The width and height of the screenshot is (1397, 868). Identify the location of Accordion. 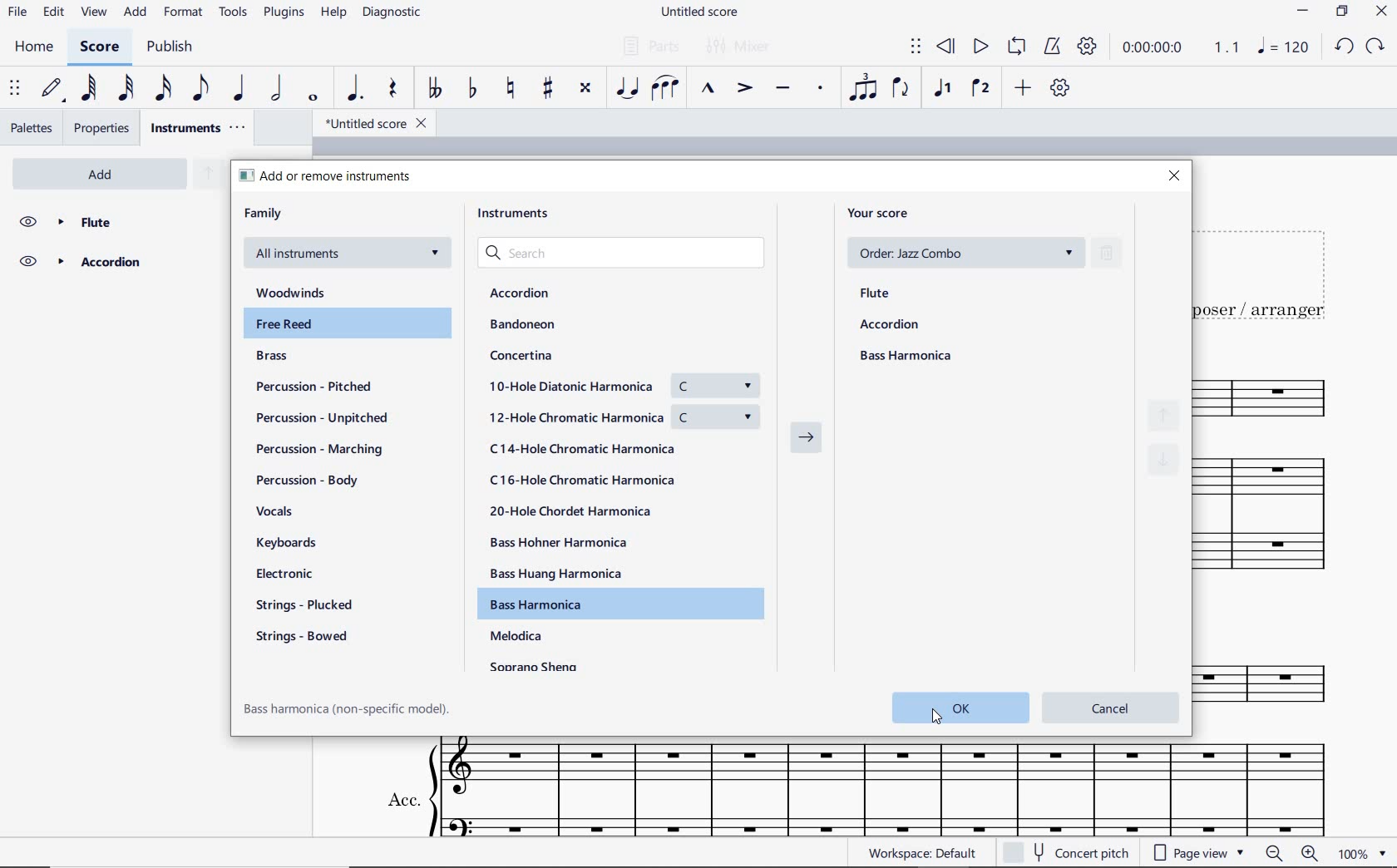
(114, 263).